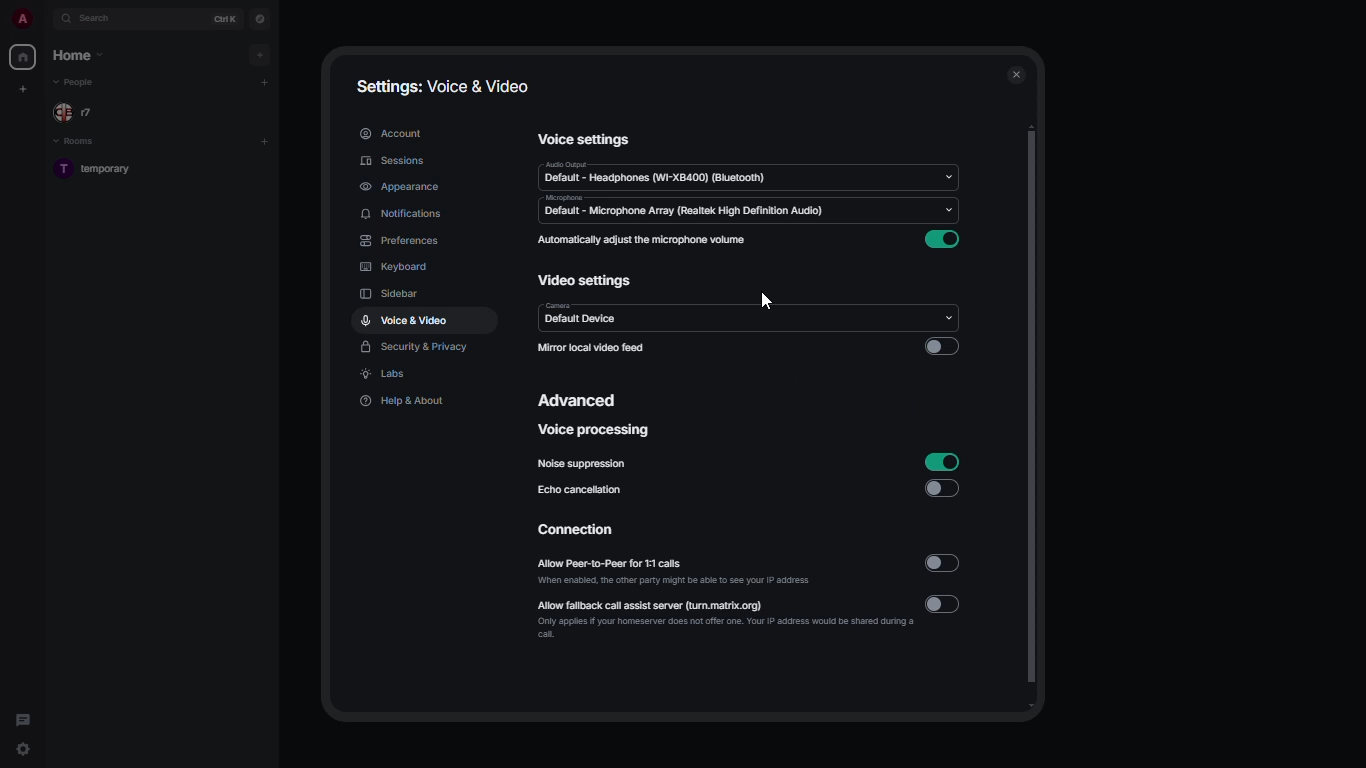 The width and height of the screenshot is (1366, 768). Describe the element at coordinates (266, 81) in the screenshot. I see `add` at that location.